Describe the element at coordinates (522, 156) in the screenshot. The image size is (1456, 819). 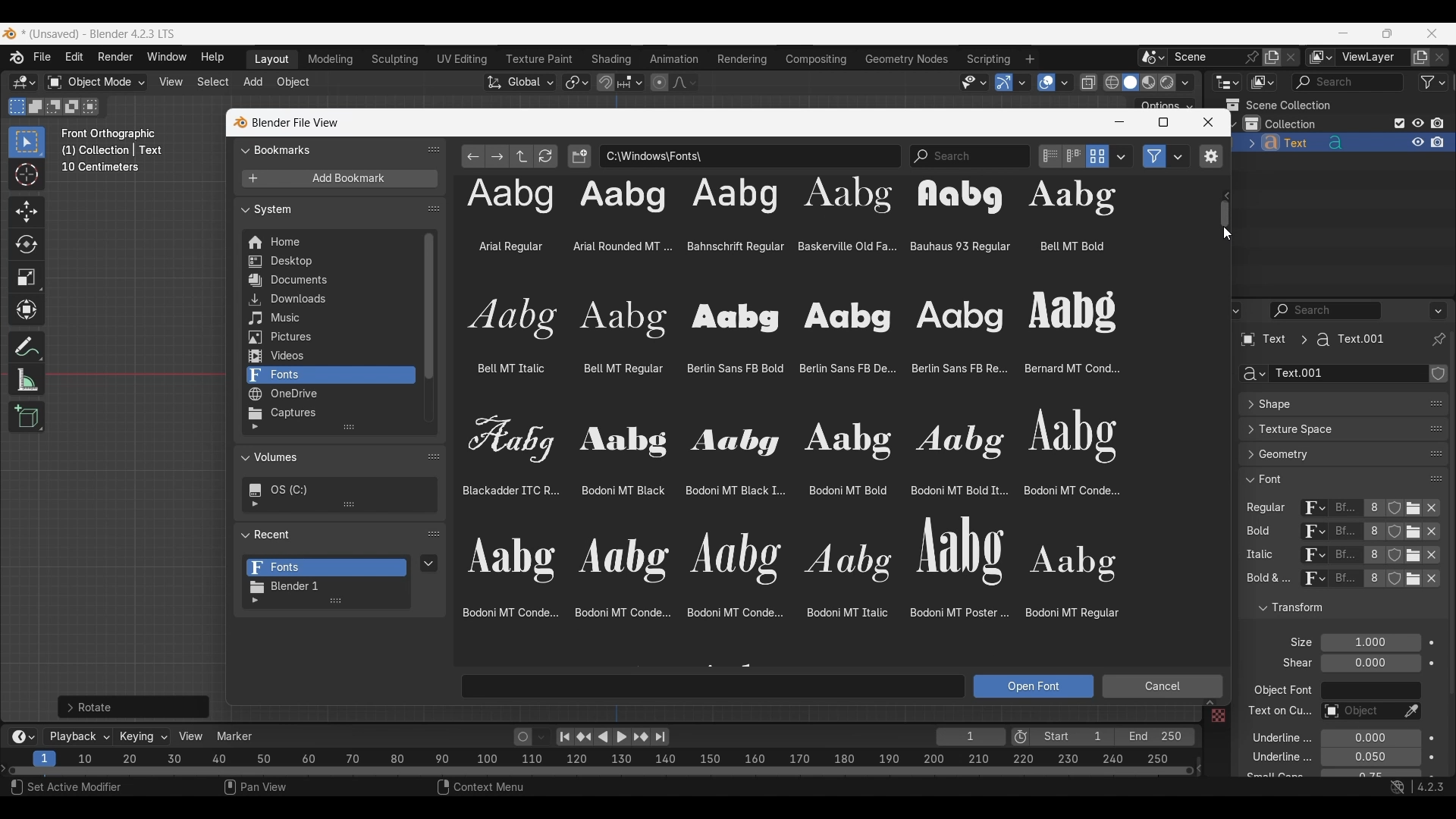
I see `Parent directory` at that location.